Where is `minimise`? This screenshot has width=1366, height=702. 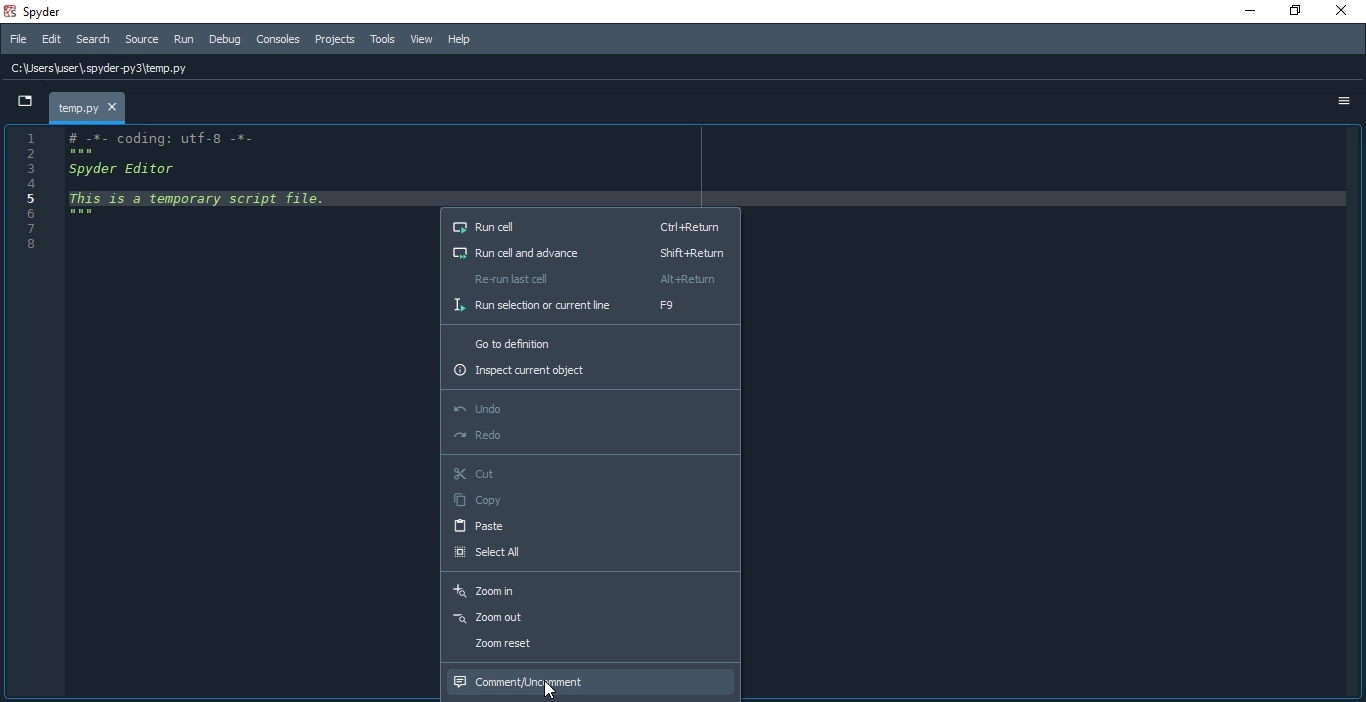
minimise is located at coordinates (1243, 13).